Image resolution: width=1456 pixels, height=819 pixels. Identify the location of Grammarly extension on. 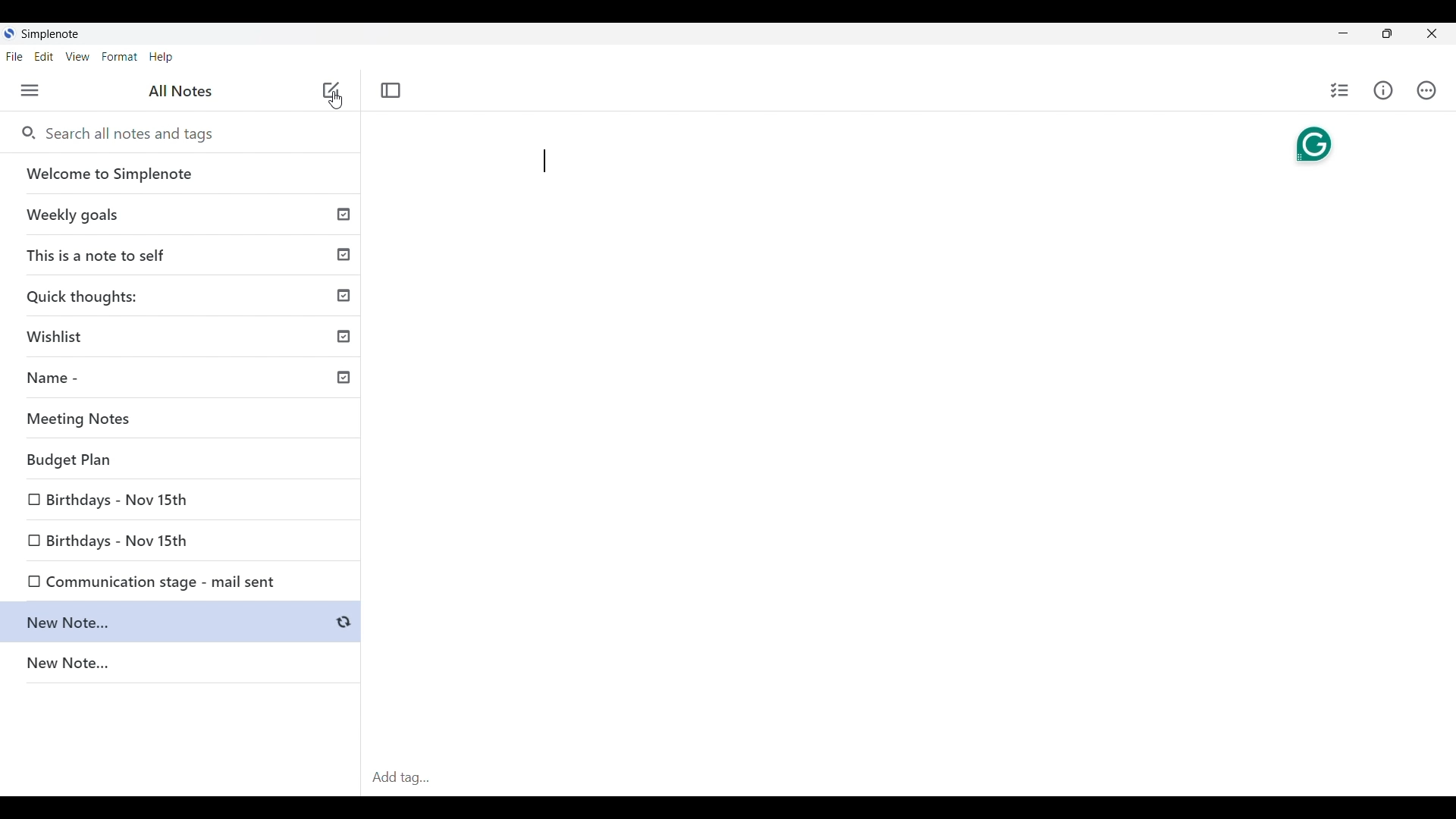
(1313, 145).